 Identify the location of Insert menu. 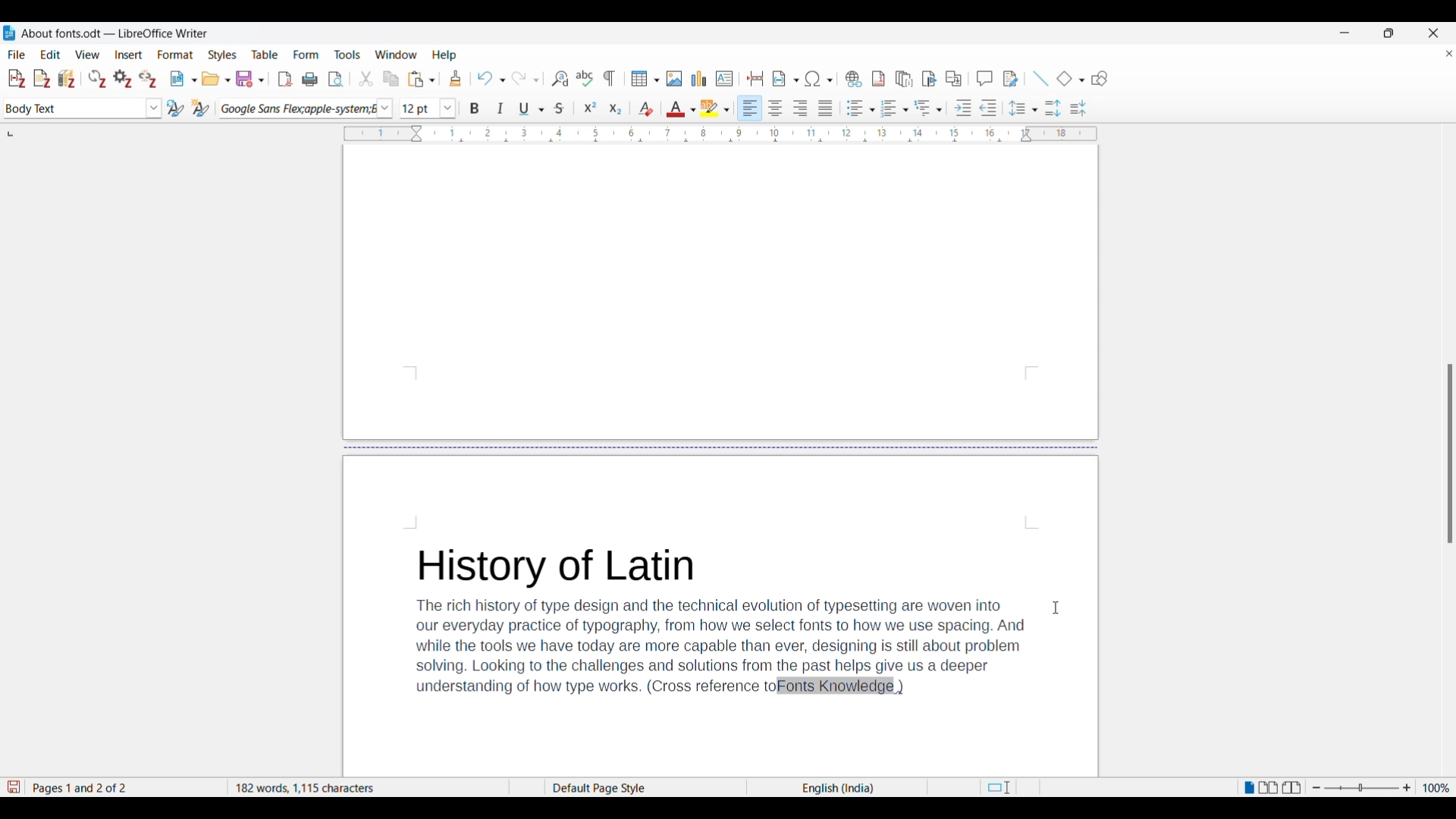
(129, 55).